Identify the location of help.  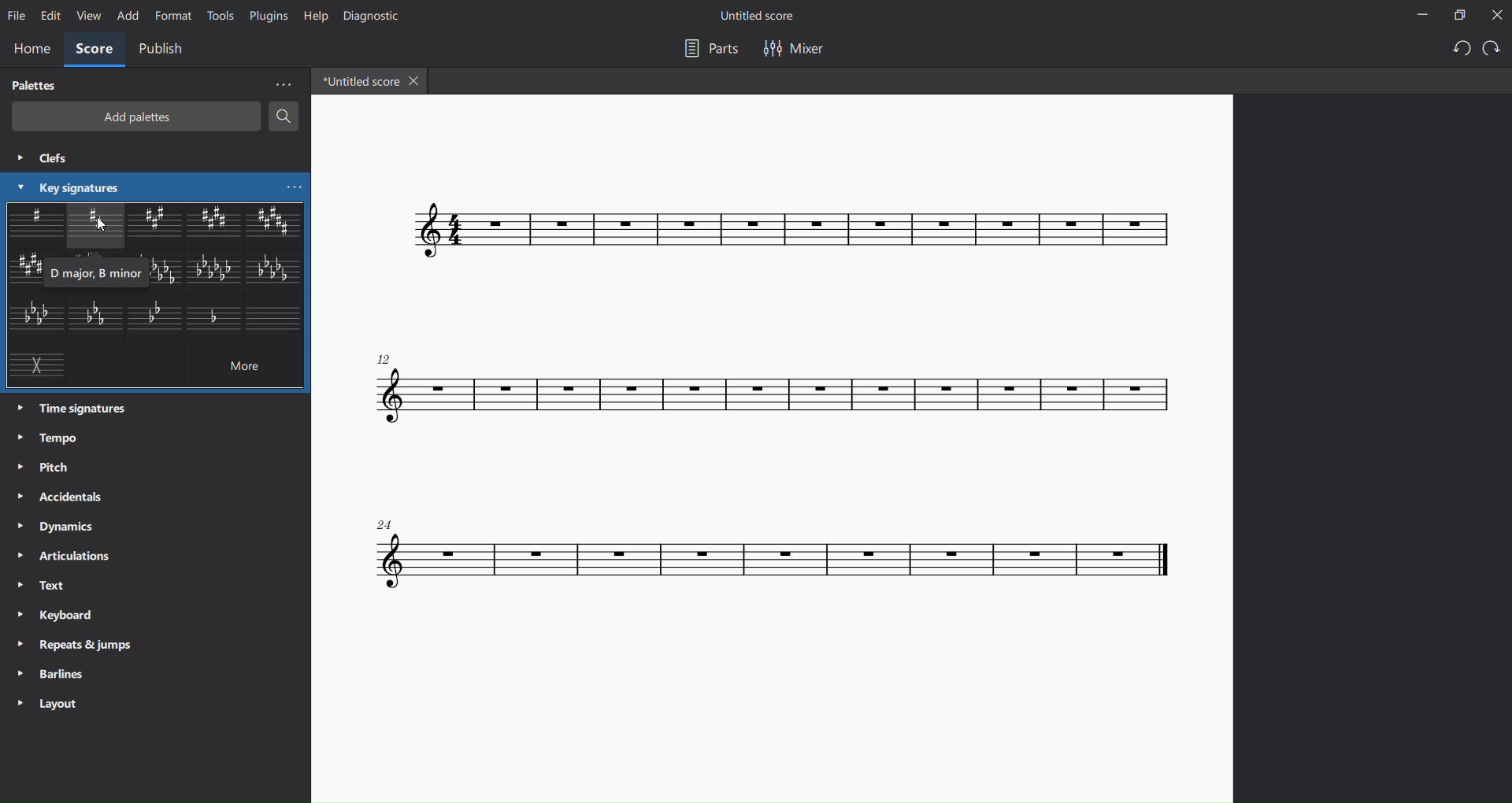
(313, 15).